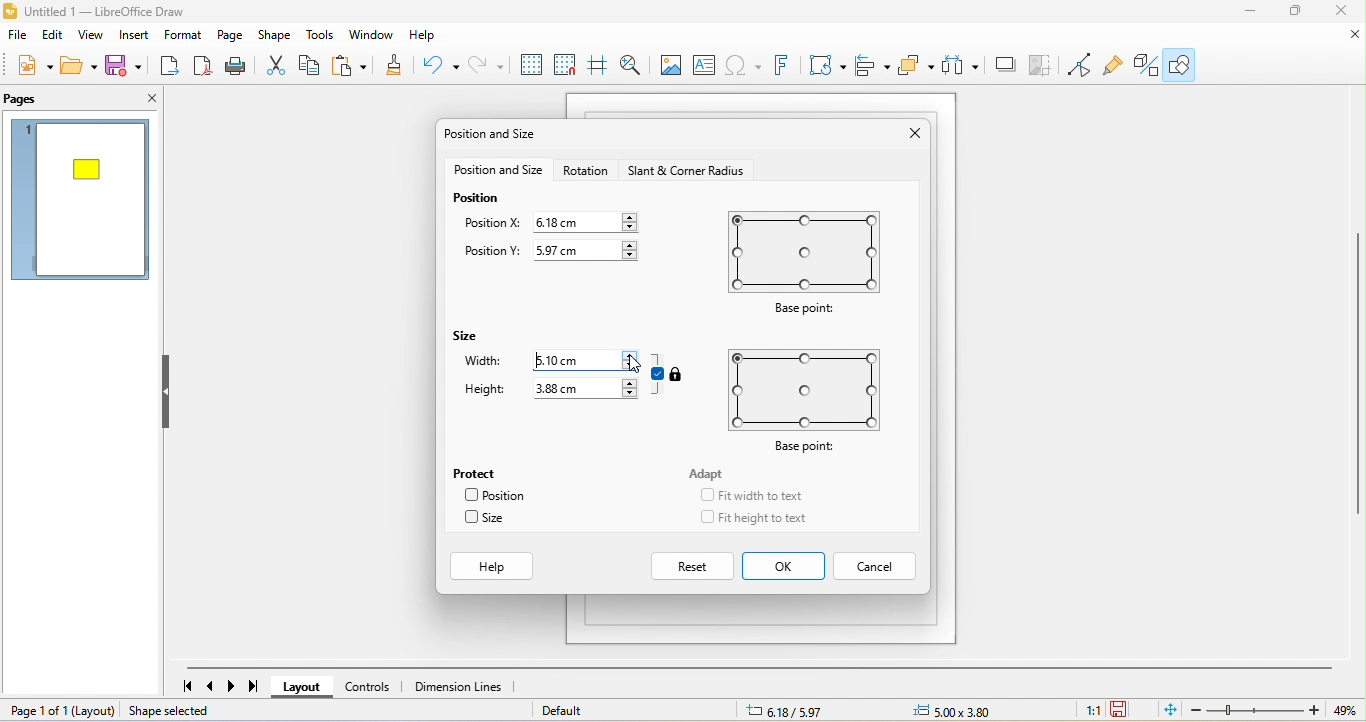  I want to click on protect, so click(485, 471).